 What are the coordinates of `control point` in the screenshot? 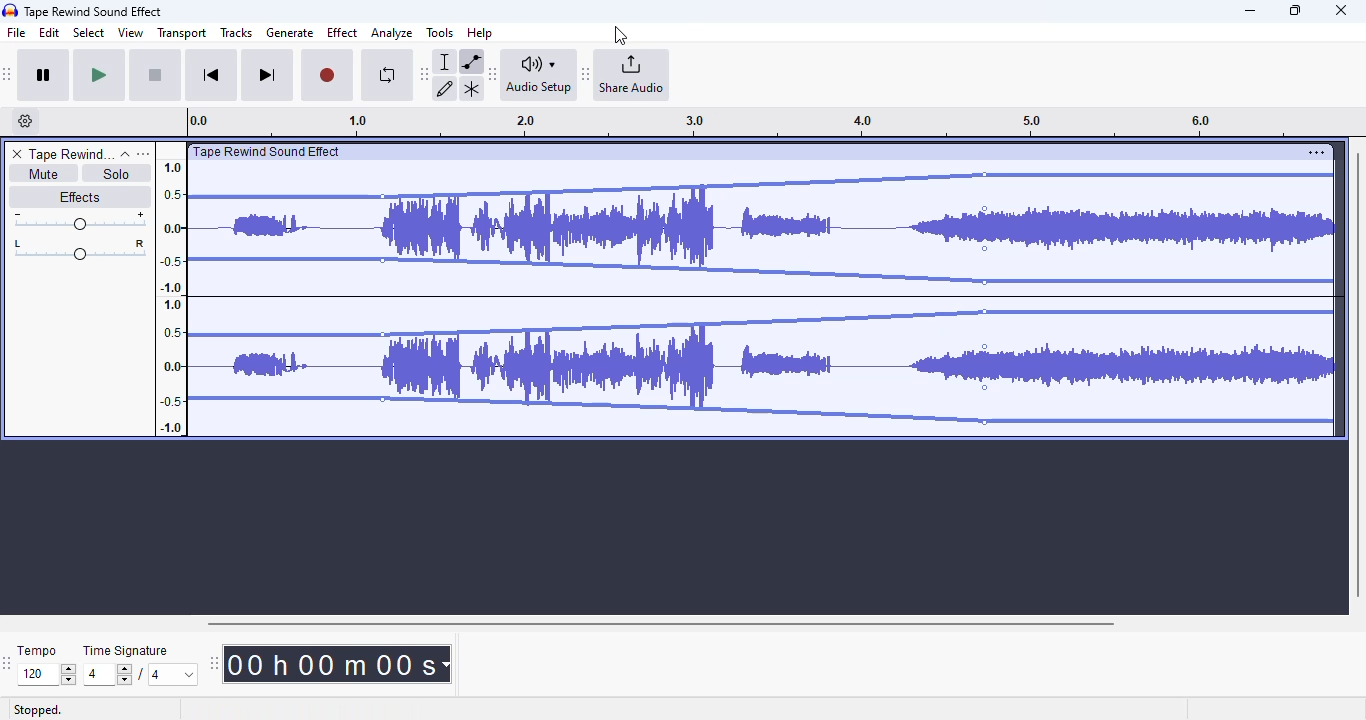 It's located at (382, 399).